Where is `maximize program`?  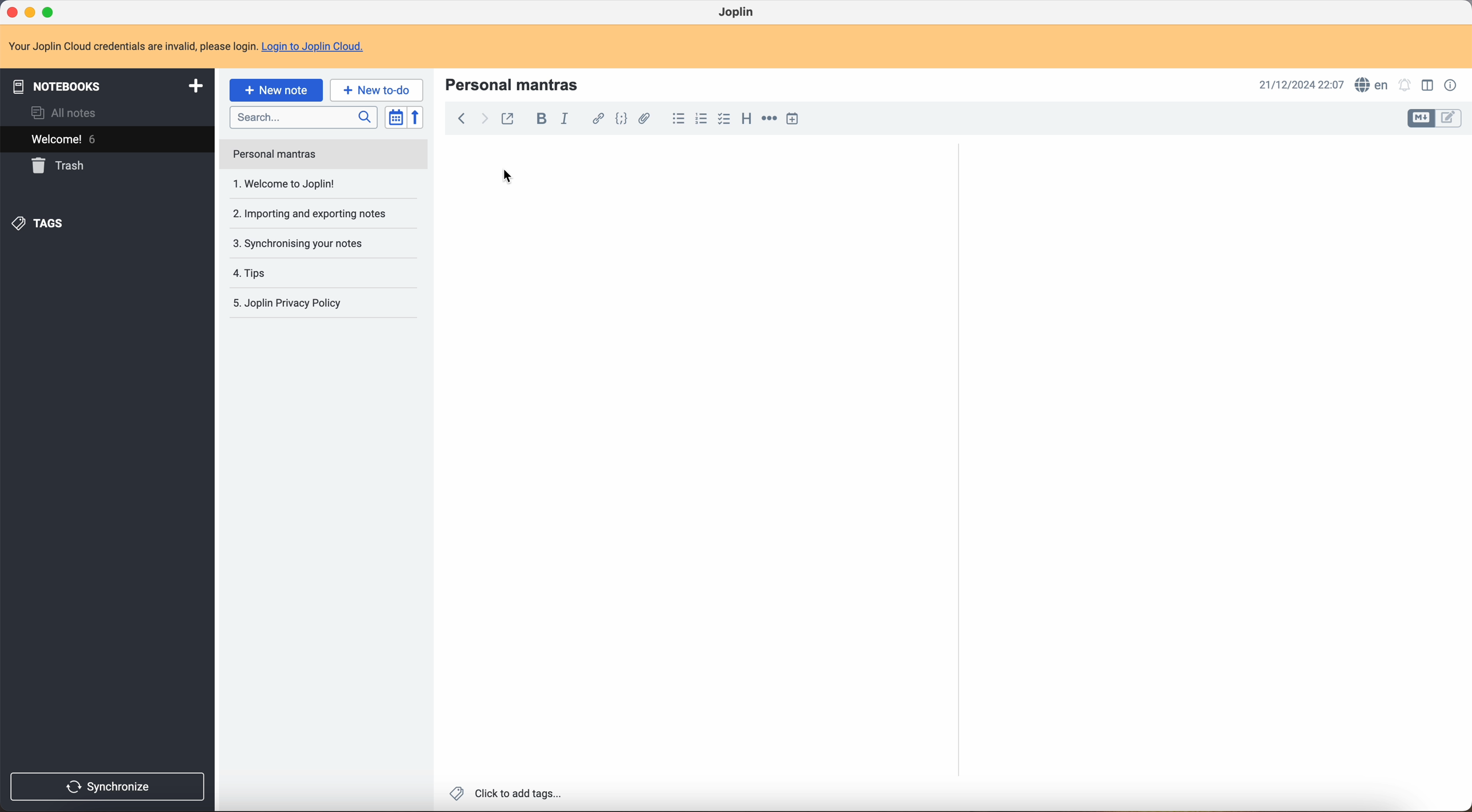
maximize program is located at coordinates (50, 11).